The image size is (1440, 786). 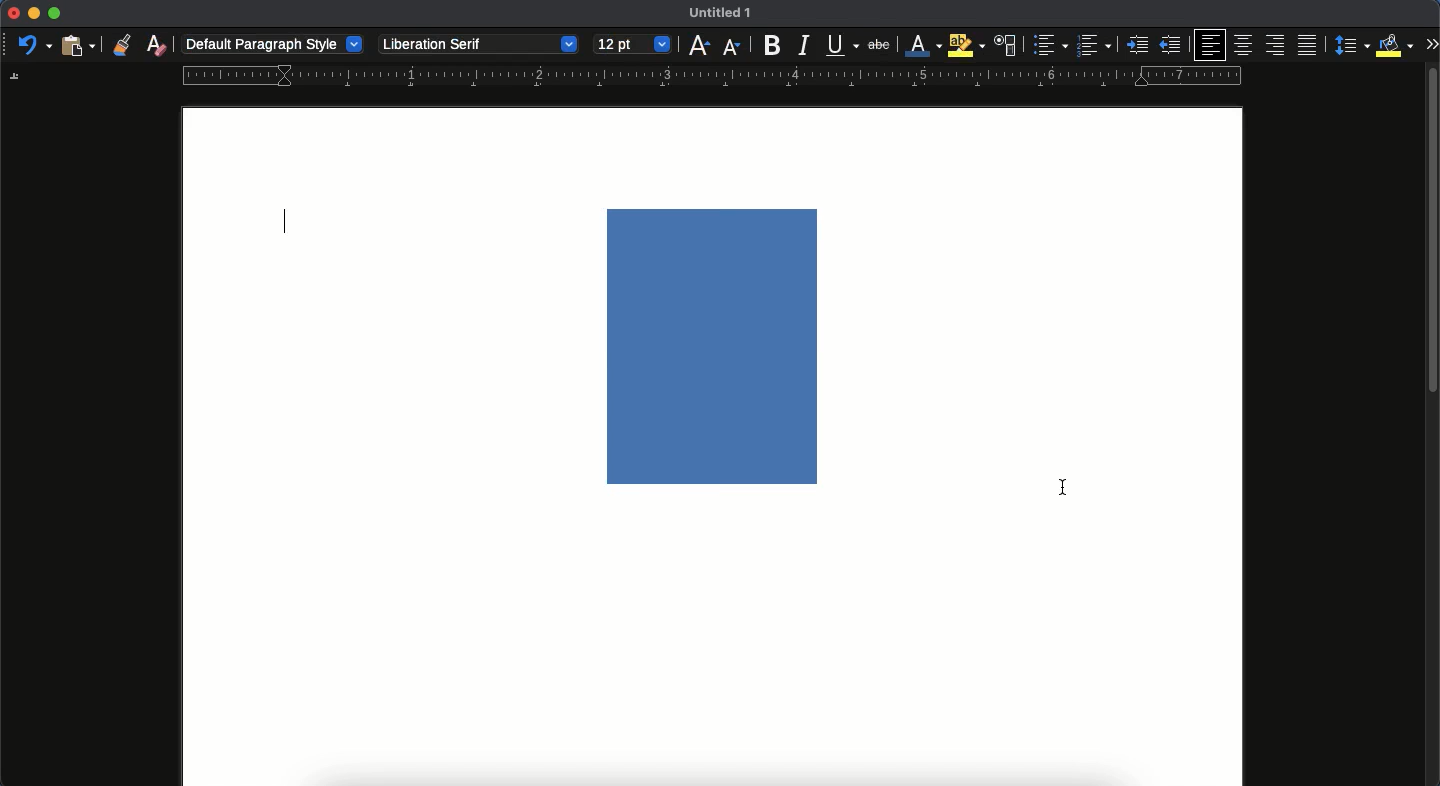 I want to click on decrease size, so click(x=732, y=48).